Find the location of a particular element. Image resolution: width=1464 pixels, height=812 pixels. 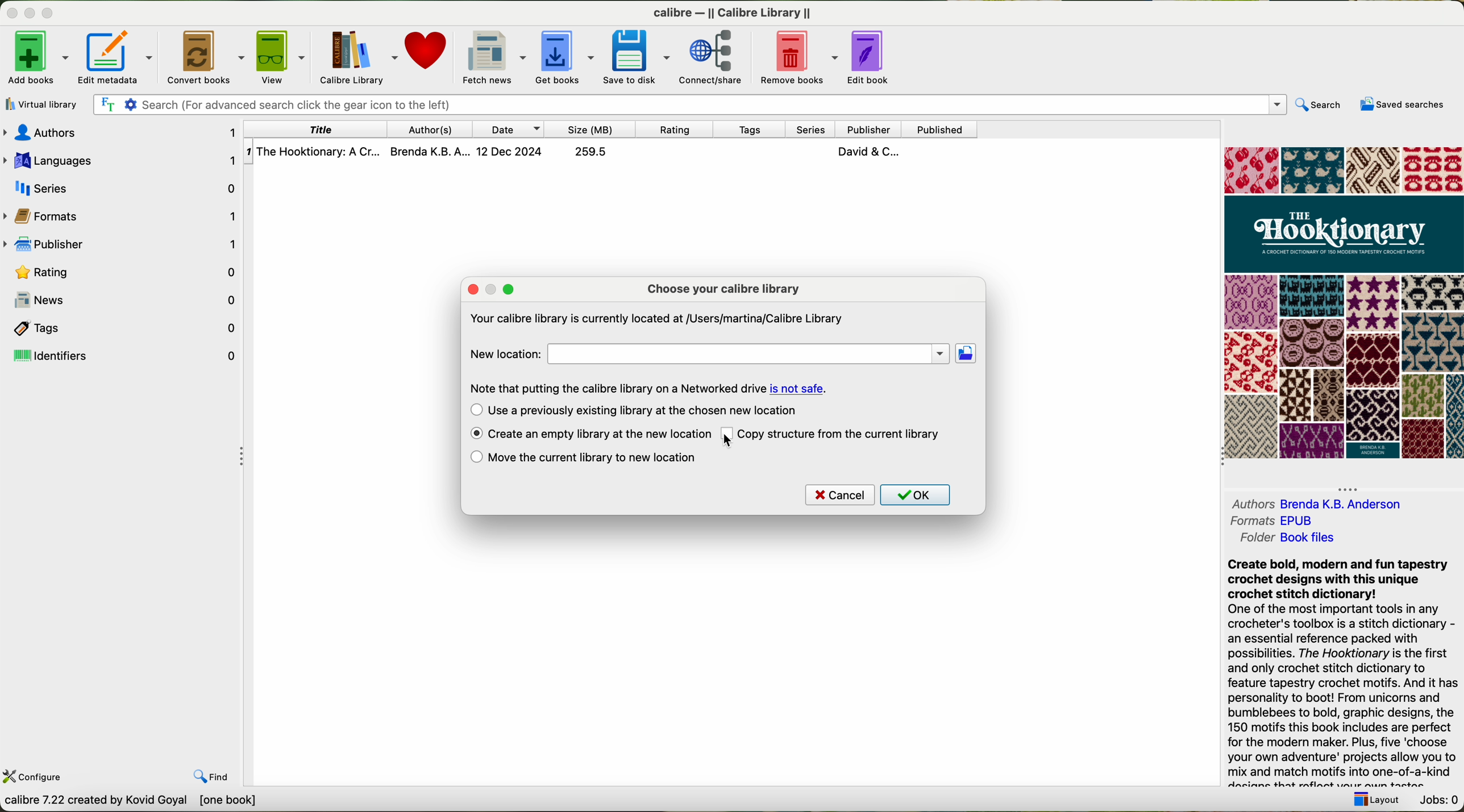

rating is located at coordinates (676, 129).